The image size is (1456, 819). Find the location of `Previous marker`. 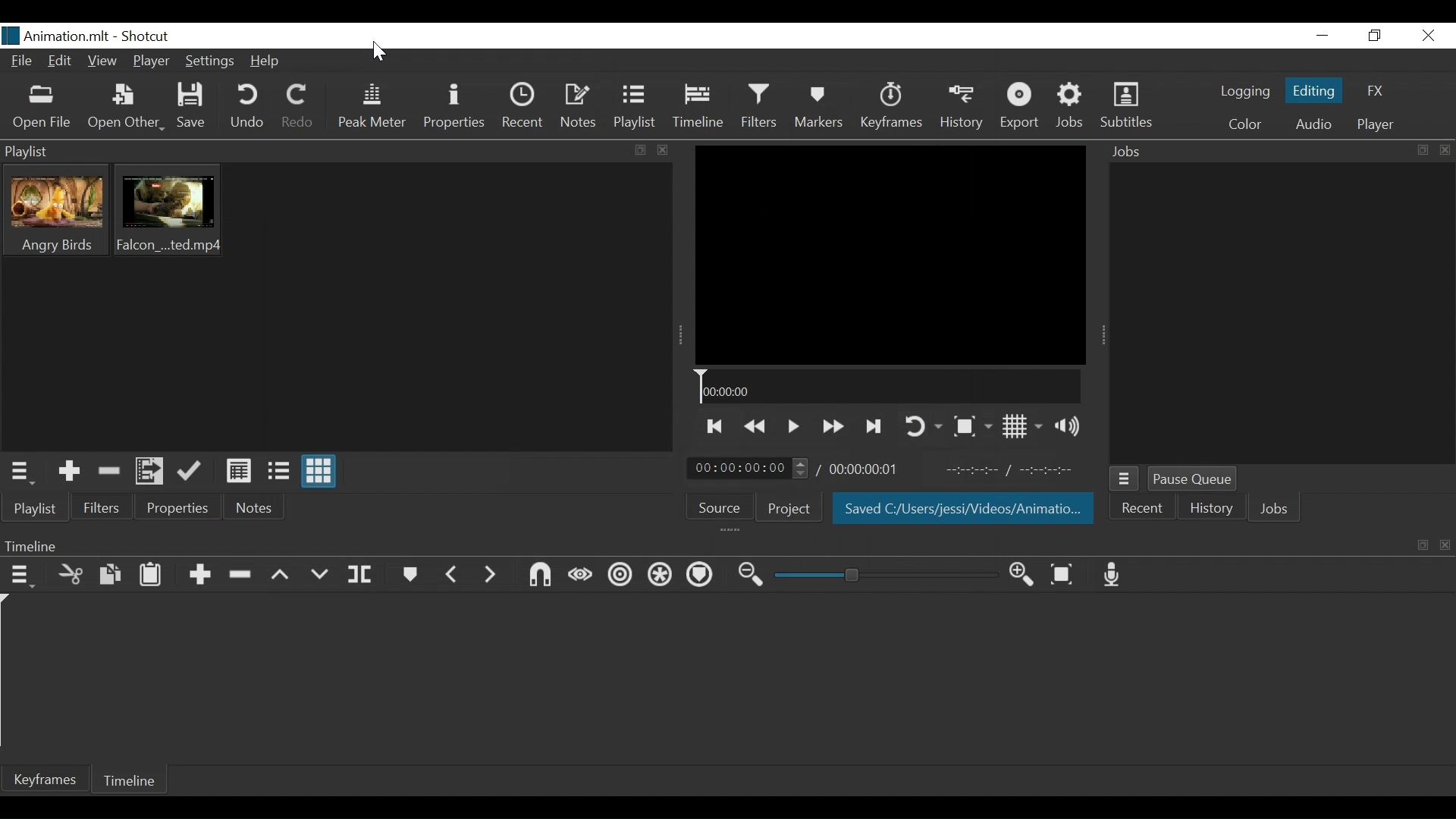

Previous marker is located at coordinates (454, 575).